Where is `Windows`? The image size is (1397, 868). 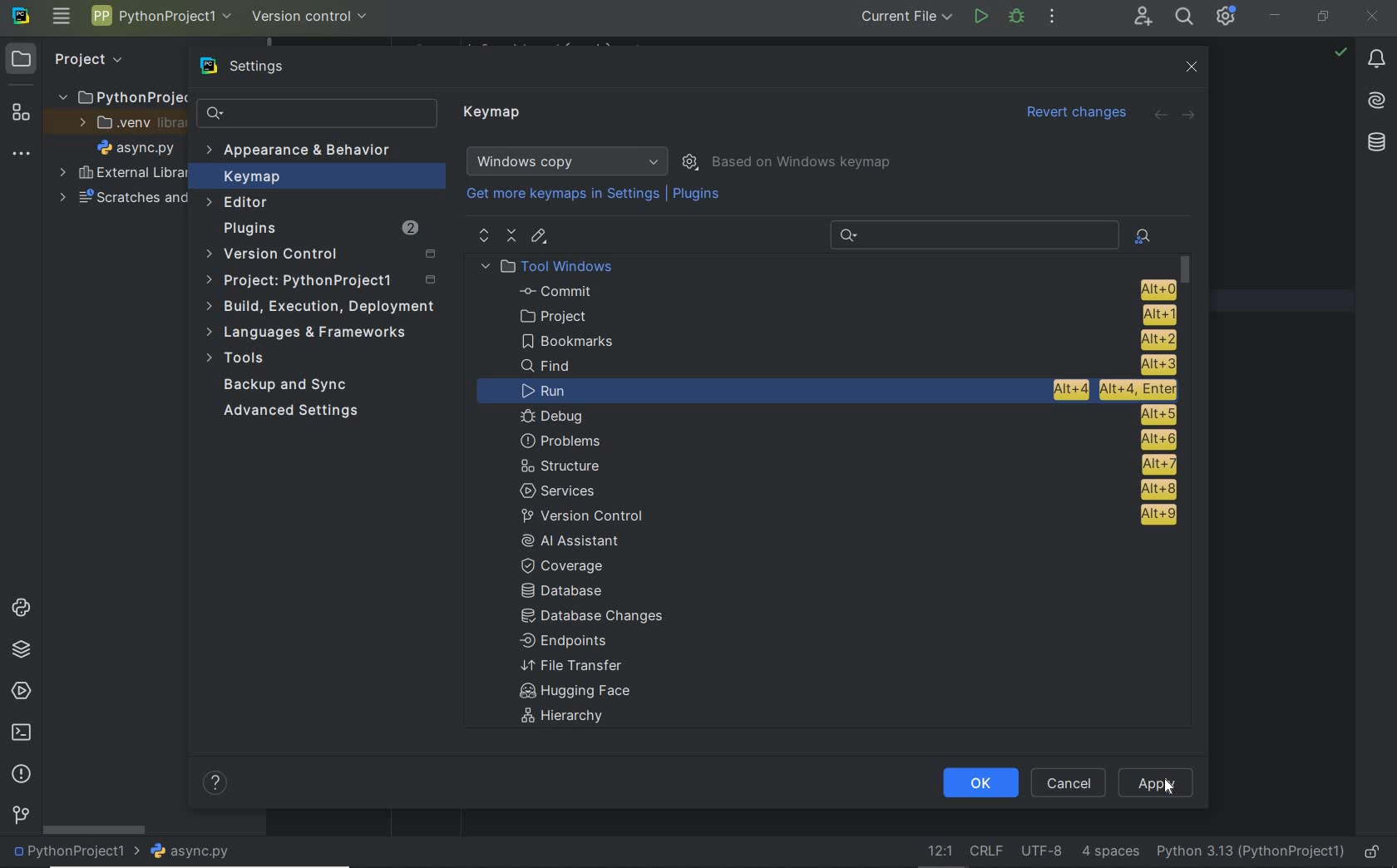 Windows is located at coordinates (567, 161).